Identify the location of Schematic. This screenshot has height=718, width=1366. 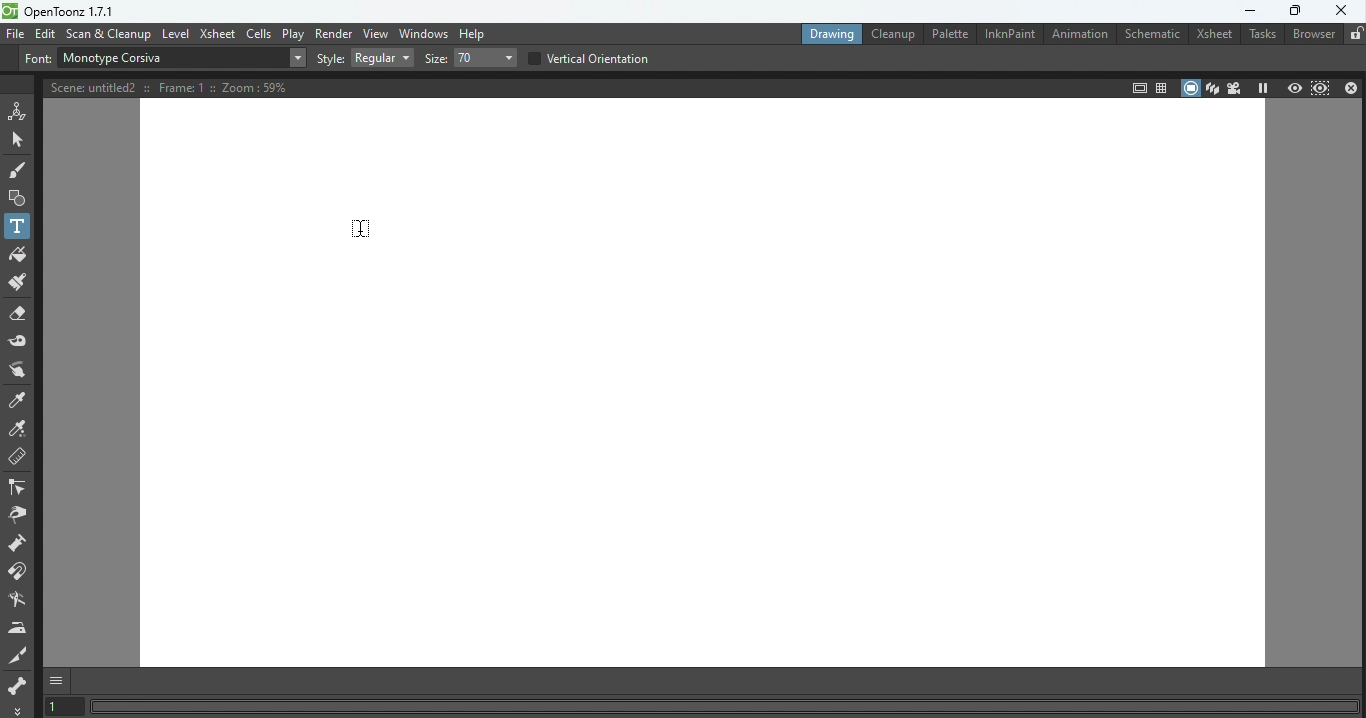
(1153, 34).